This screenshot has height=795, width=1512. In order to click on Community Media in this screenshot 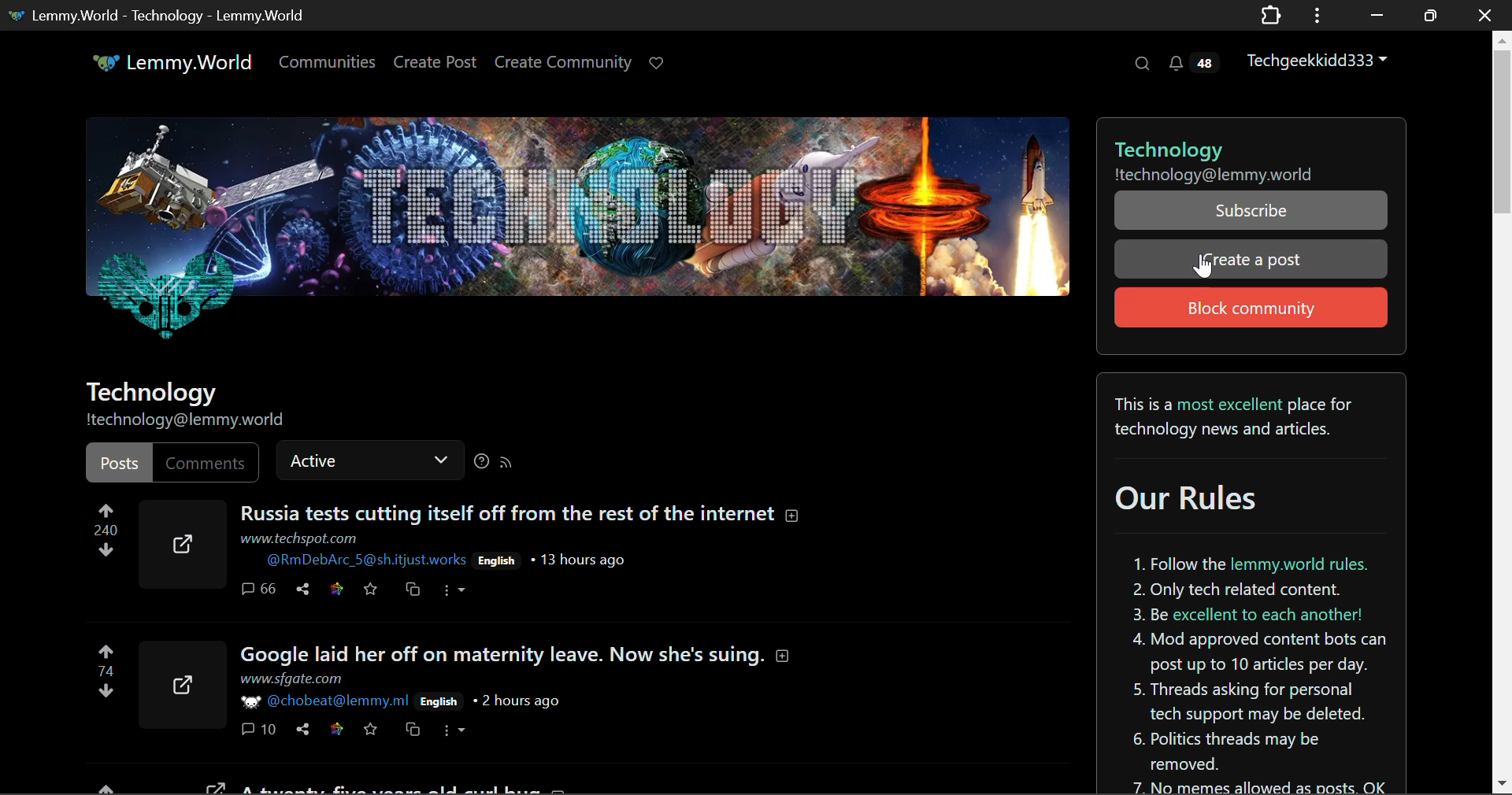, I will do `click(575, 231)`.